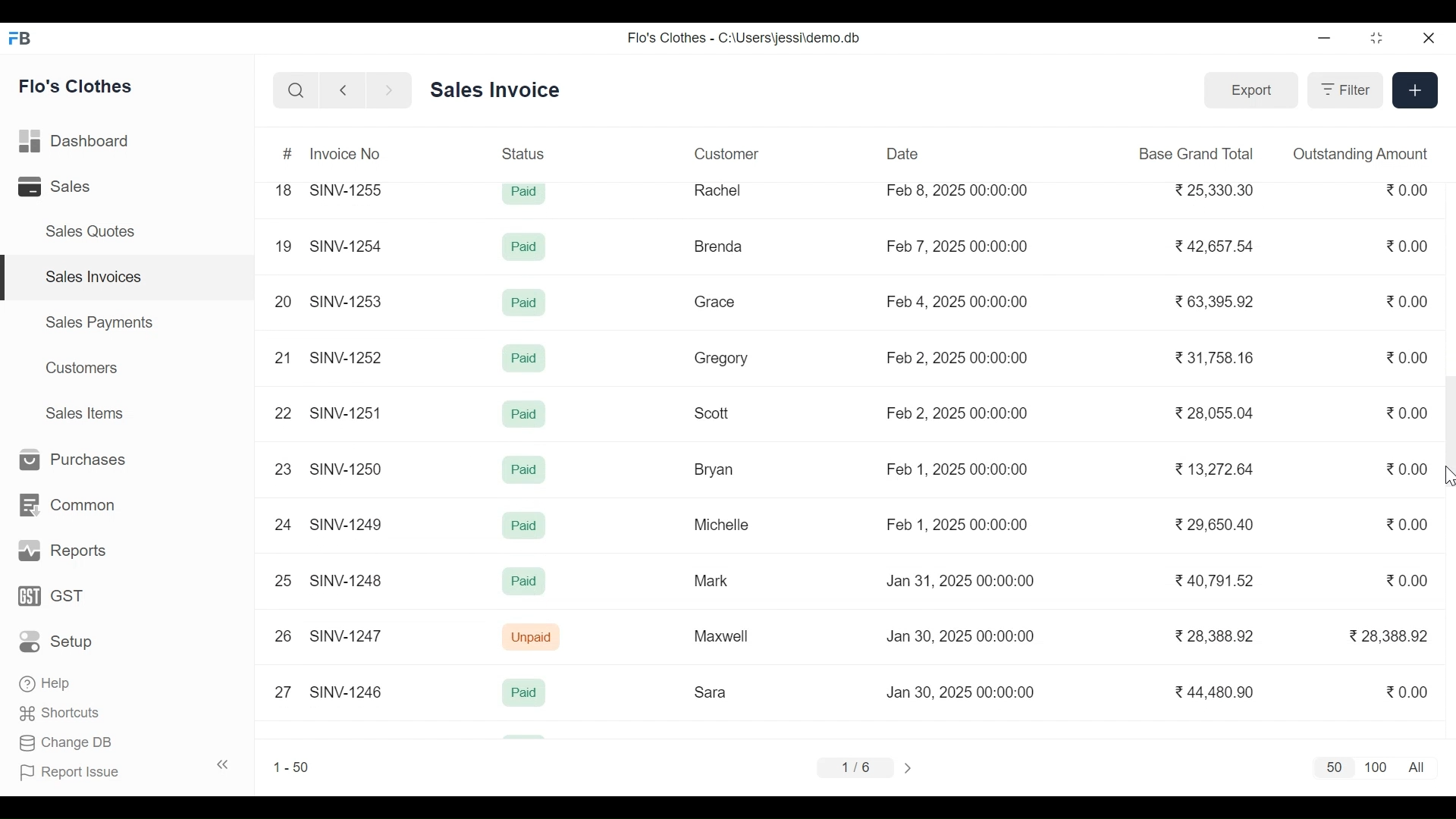 The width and height of the screenshot is (1456, 819). Describe the element at coordinates (1447, 477) in the screenshot. I see `Cursor` at that location.